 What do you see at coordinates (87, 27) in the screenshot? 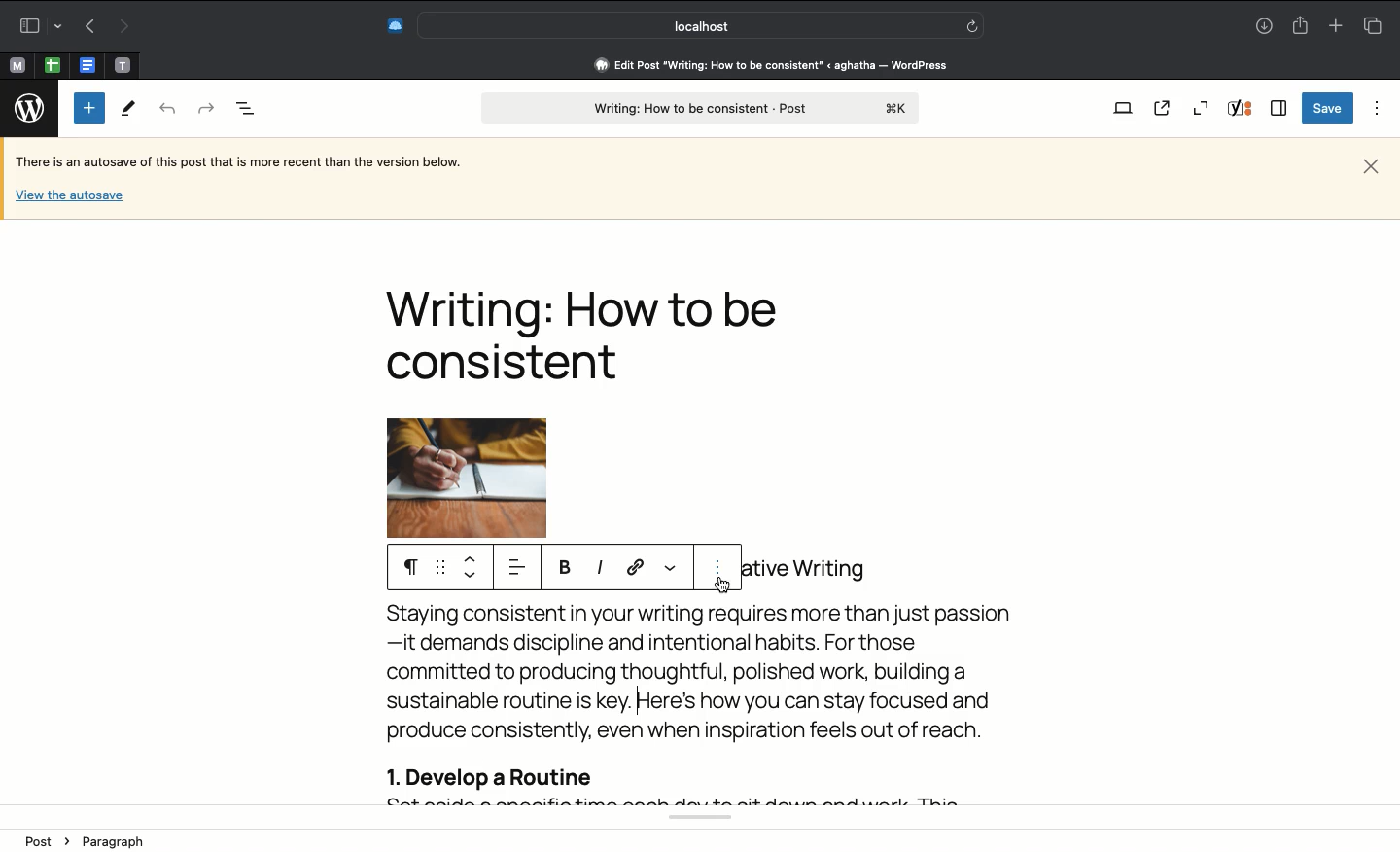
I see `Previous page` at bounding box center [87, 27].